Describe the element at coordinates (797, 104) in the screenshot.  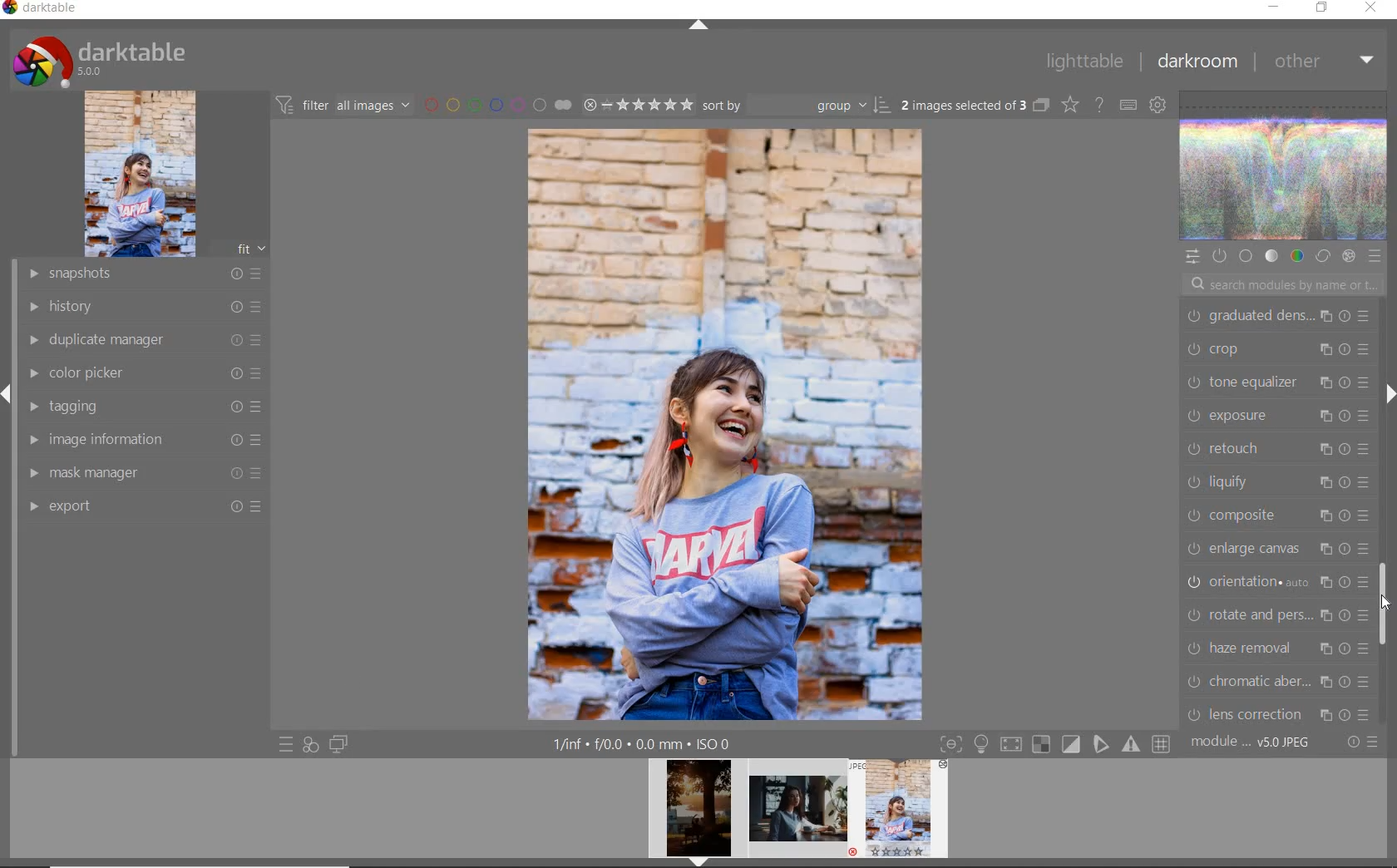
I see `SORT` at that location.